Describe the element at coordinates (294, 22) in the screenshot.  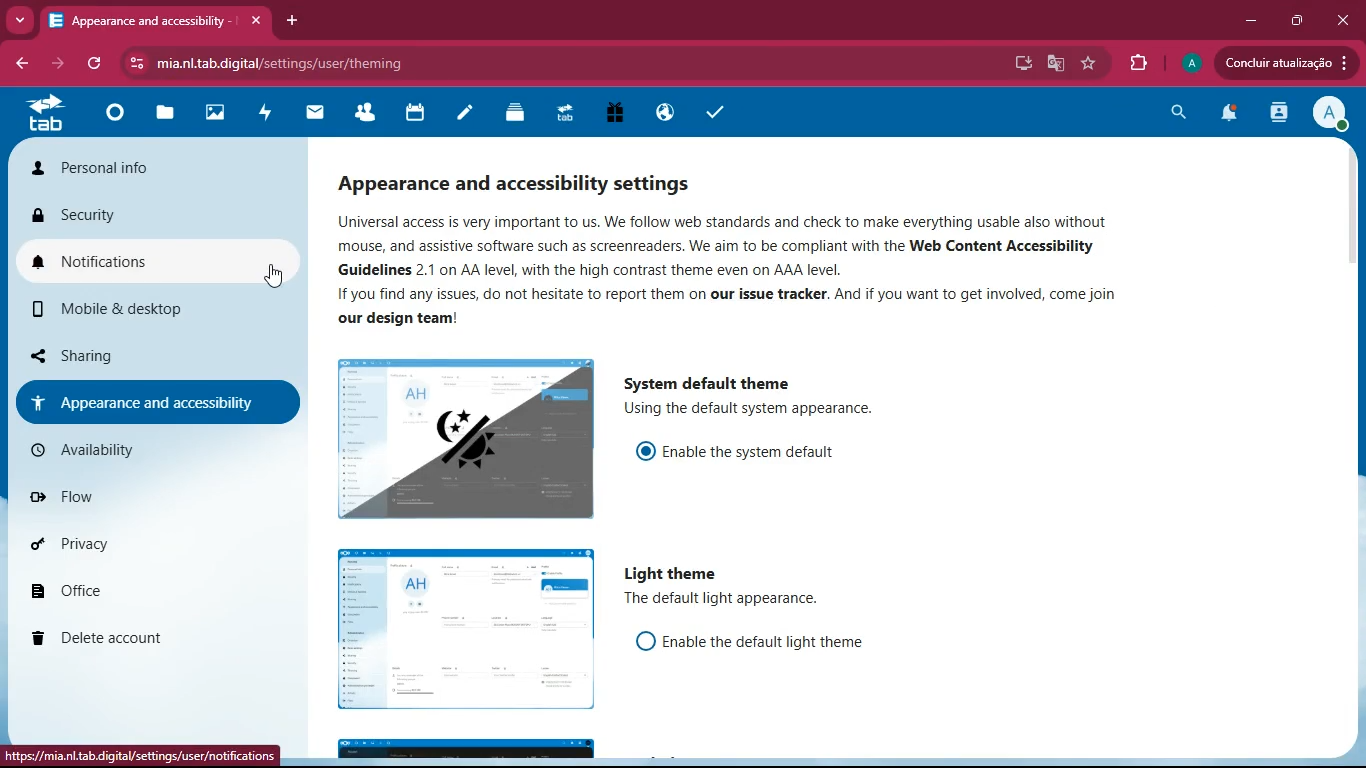
I see `add tab` at that location.